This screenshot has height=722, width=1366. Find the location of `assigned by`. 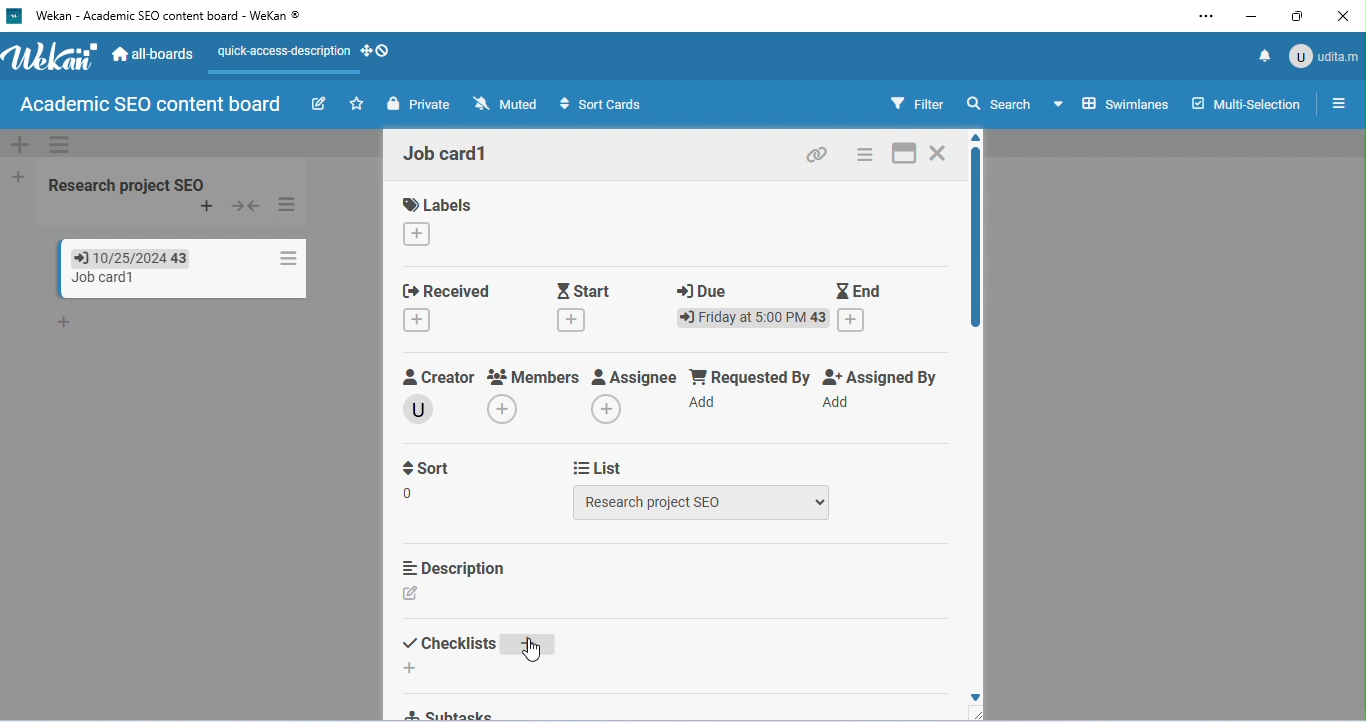

assigned by is located at coordinates (885, 376).